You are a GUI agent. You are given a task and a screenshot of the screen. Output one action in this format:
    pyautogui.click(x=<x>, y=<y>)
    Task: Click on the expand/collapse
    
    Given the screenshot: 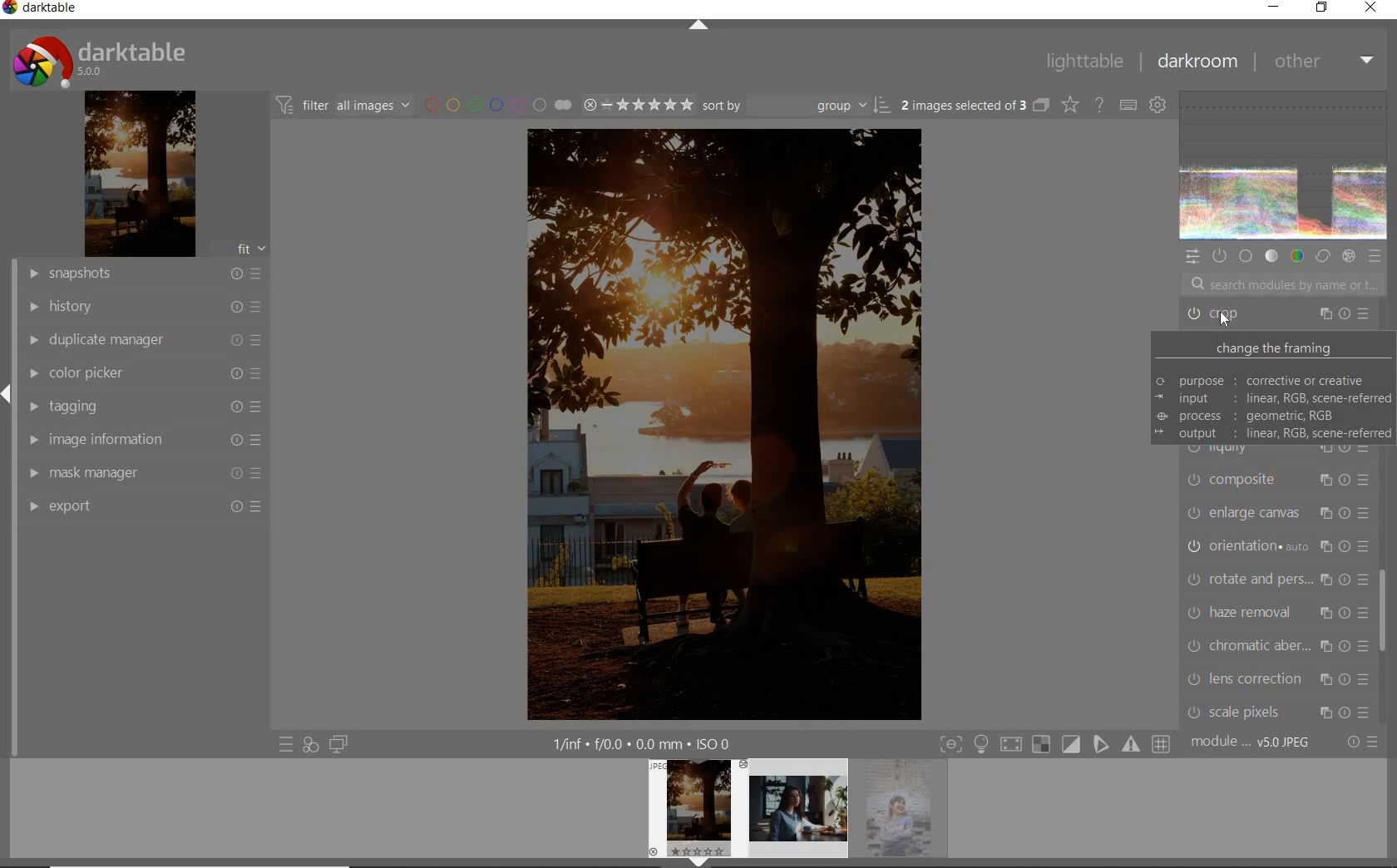 What is the action you would take?
    pyautogui.click(x=8, y=392)
    